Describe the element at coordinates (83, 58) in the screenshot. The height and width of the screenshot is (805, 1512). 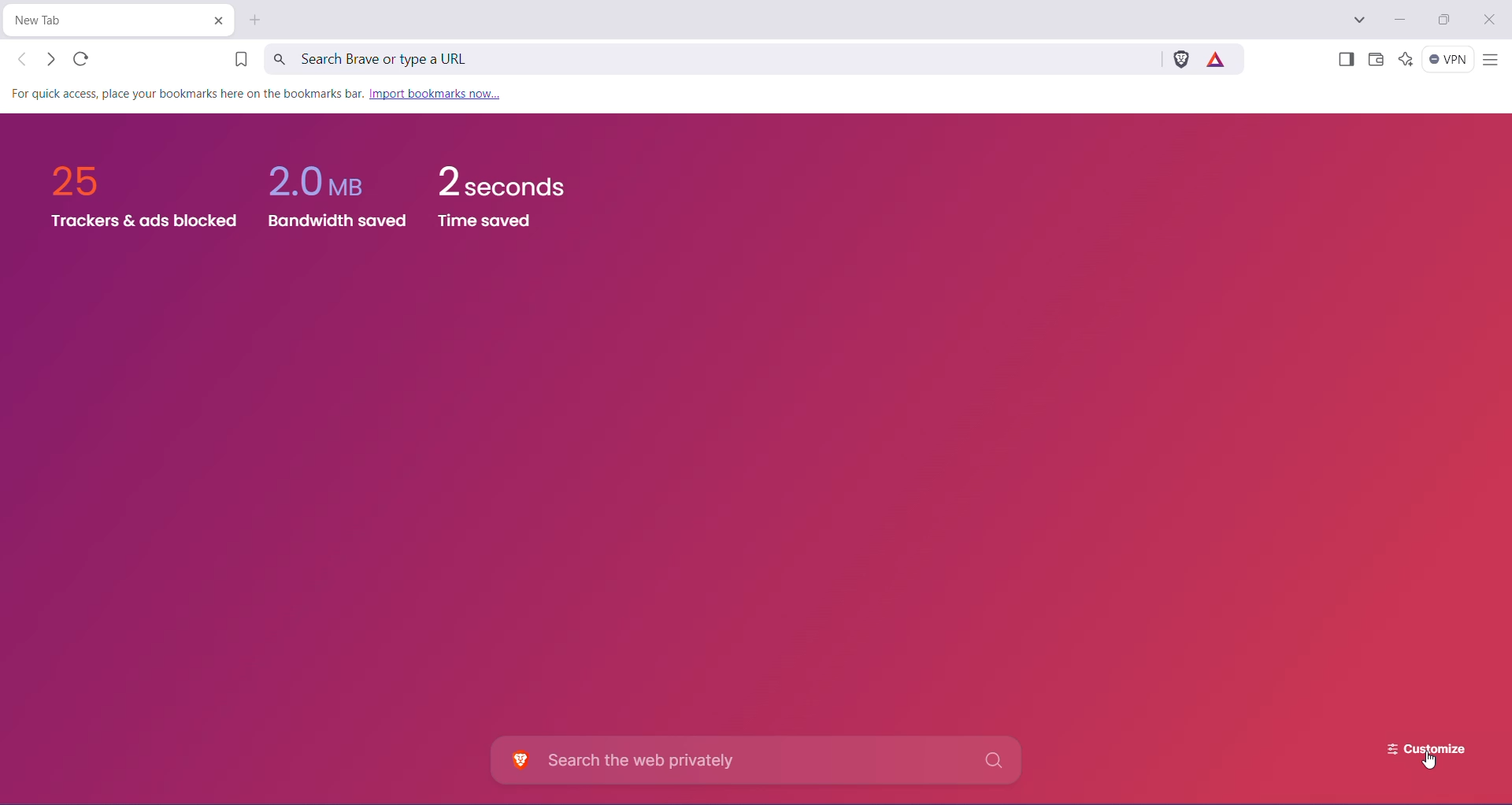
I see `Reload this page` at that location.